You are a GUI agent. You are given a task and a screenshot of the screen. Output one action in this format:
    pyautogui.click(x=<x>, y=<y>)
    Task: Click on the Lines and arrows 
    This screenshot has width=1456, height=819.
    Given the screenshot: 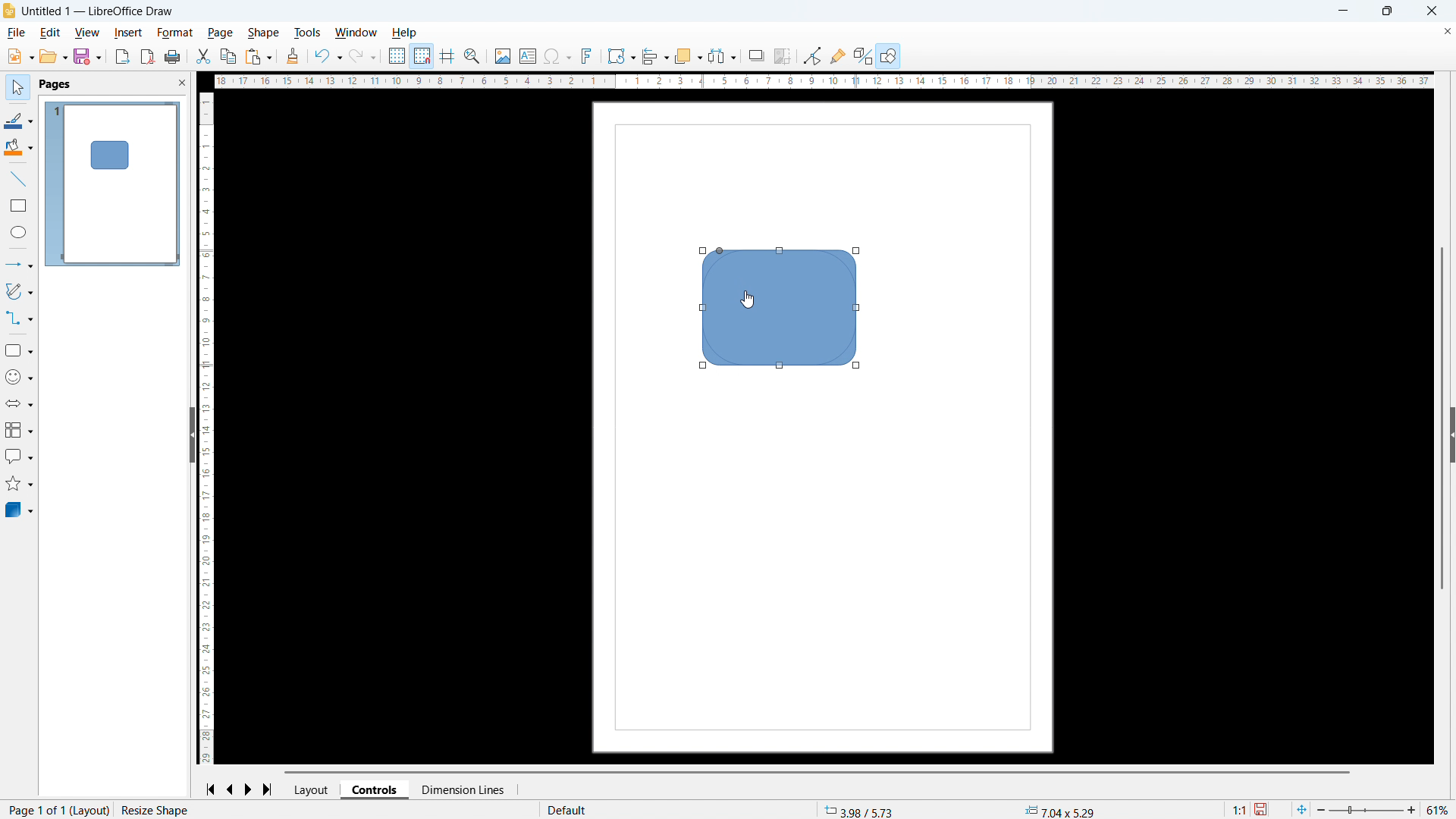 What is the action you would take?
    pyautogui.click(x=20, y=264)
    